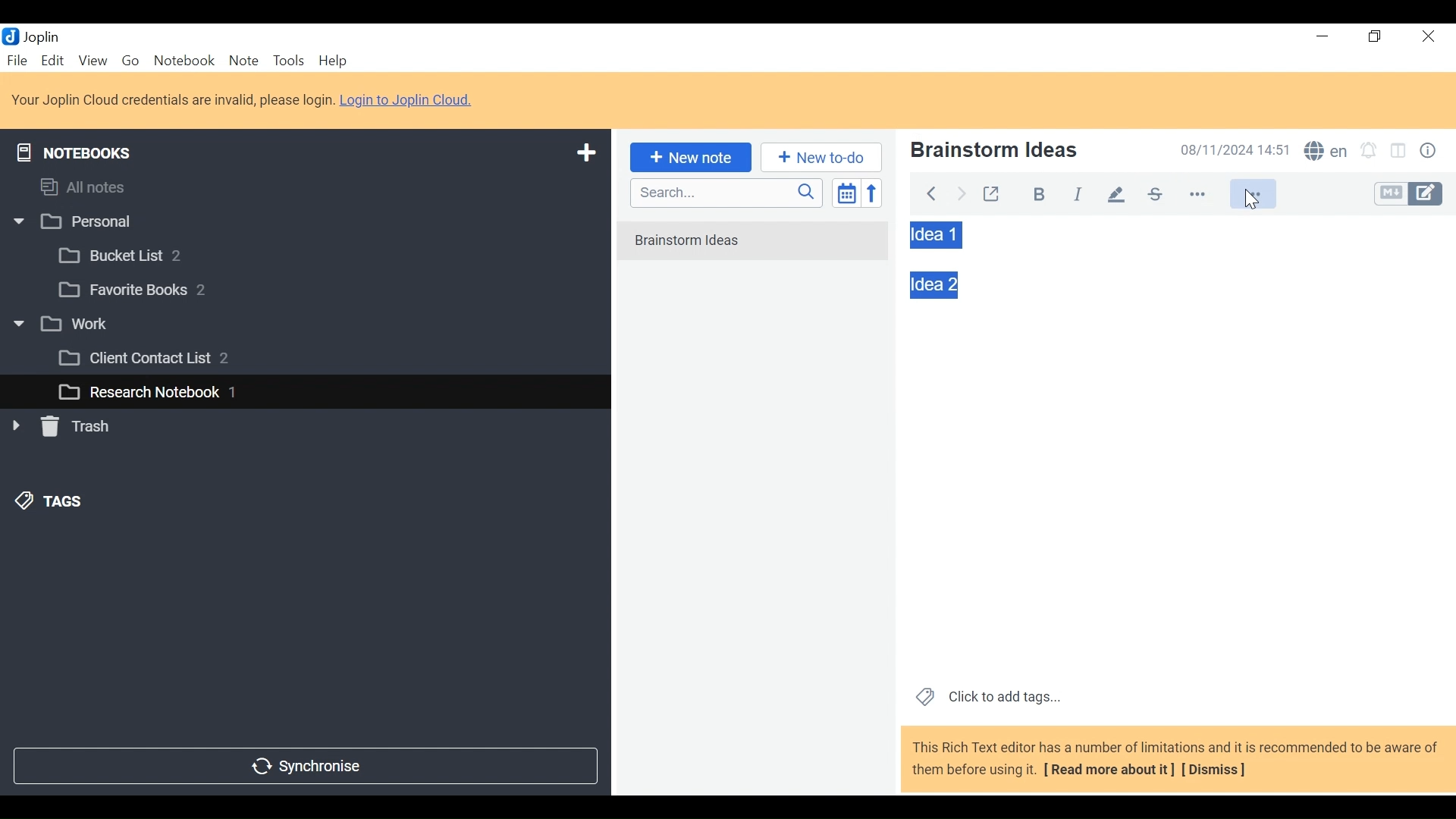 The image size is (1456, 819). What do you see at coordinates (1116, 193) in the screenshot?
I see `pen` at bounding box center [1116, 193].